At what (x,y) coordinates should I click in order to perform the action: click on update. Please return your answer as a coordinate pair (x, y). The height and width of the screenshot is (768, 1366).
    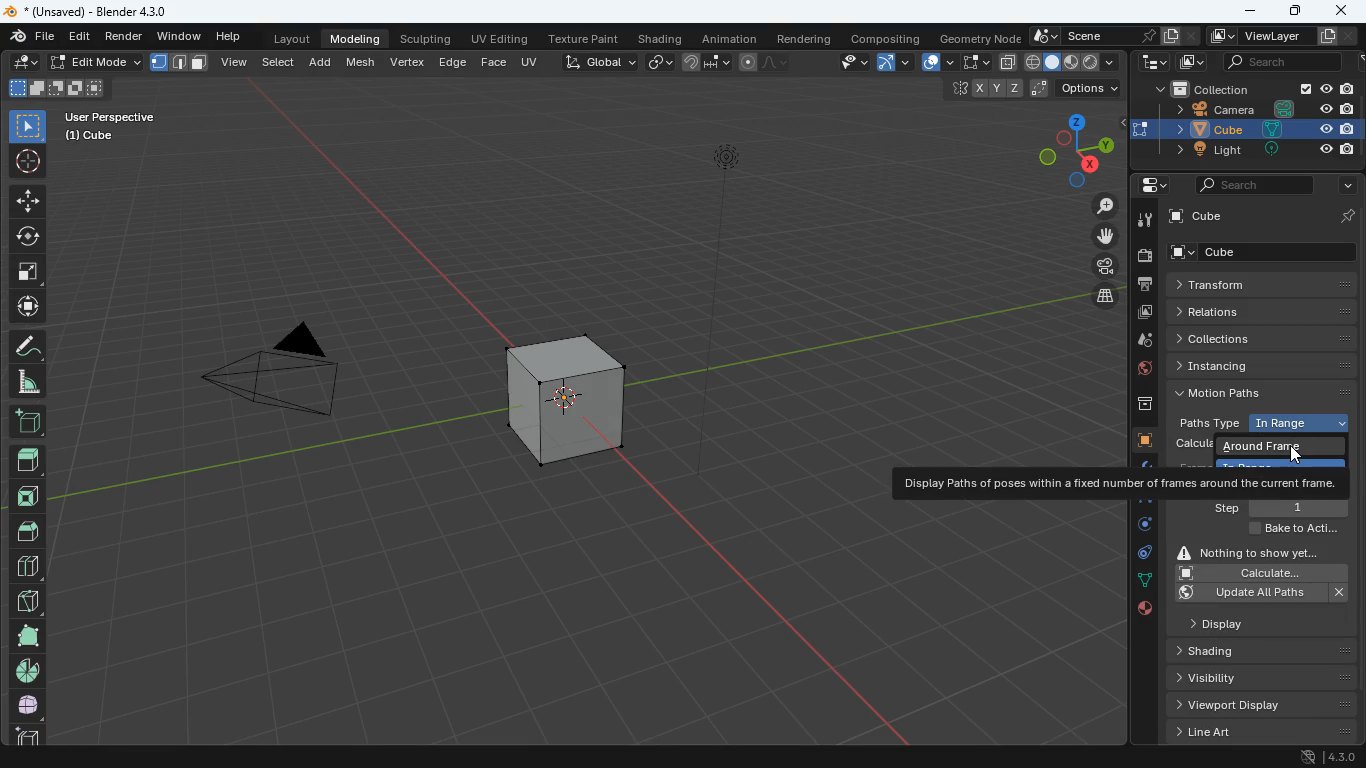
    Looking at the image, I should click on (1264, 593).